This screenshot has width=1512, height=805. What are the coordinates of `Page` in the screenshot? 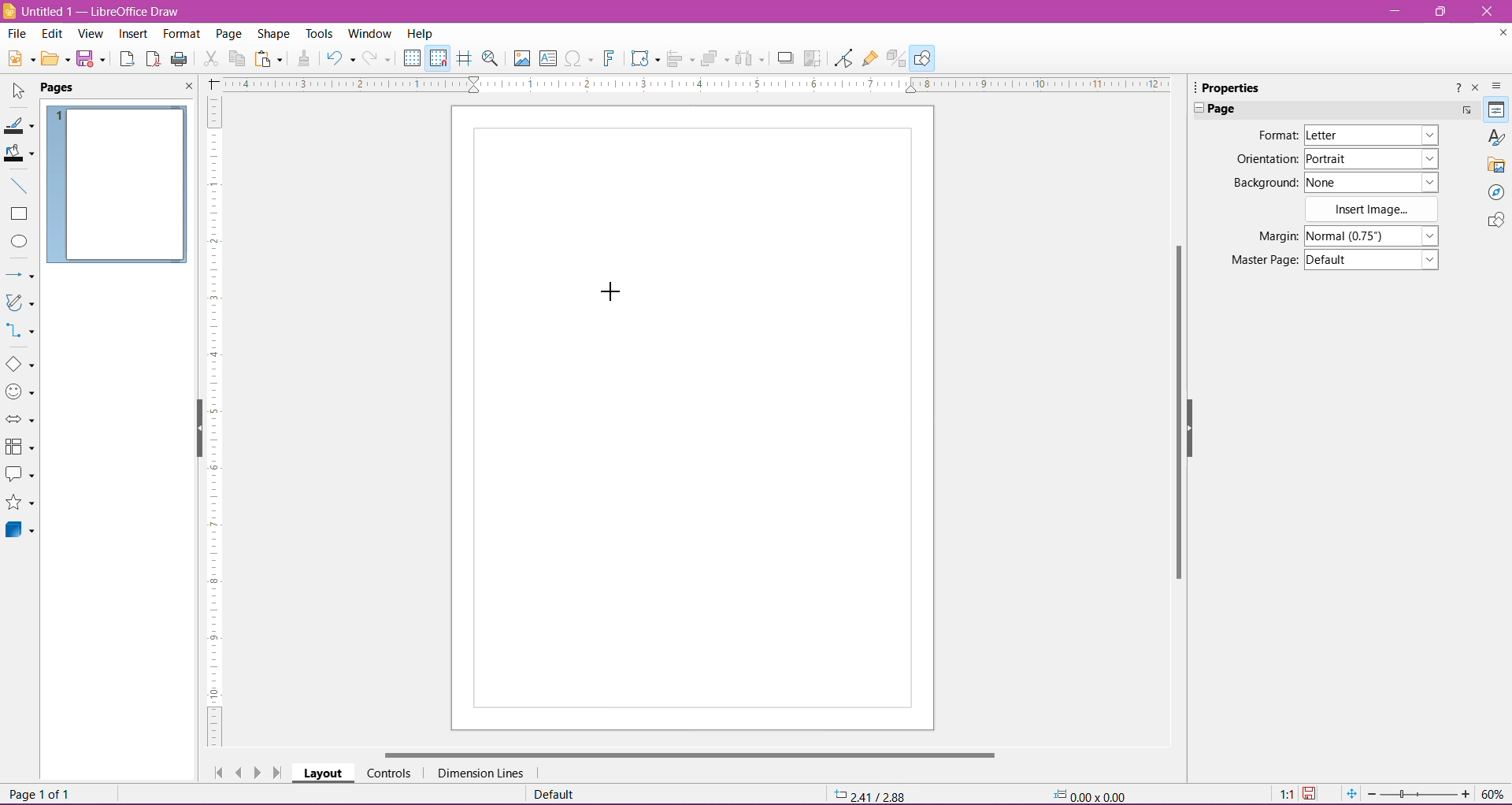 It's located at (67, 88).